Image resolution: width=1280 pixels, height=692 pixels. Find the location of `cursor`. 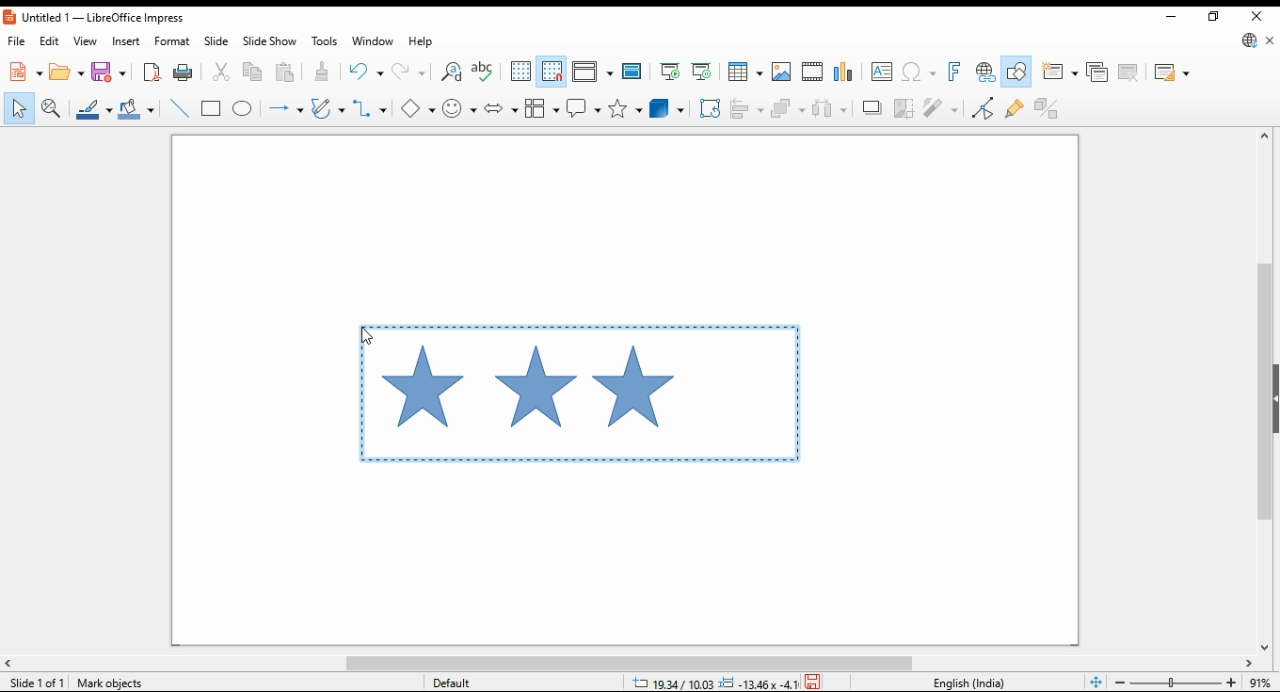

cursor is located at coordinates (369, 337).